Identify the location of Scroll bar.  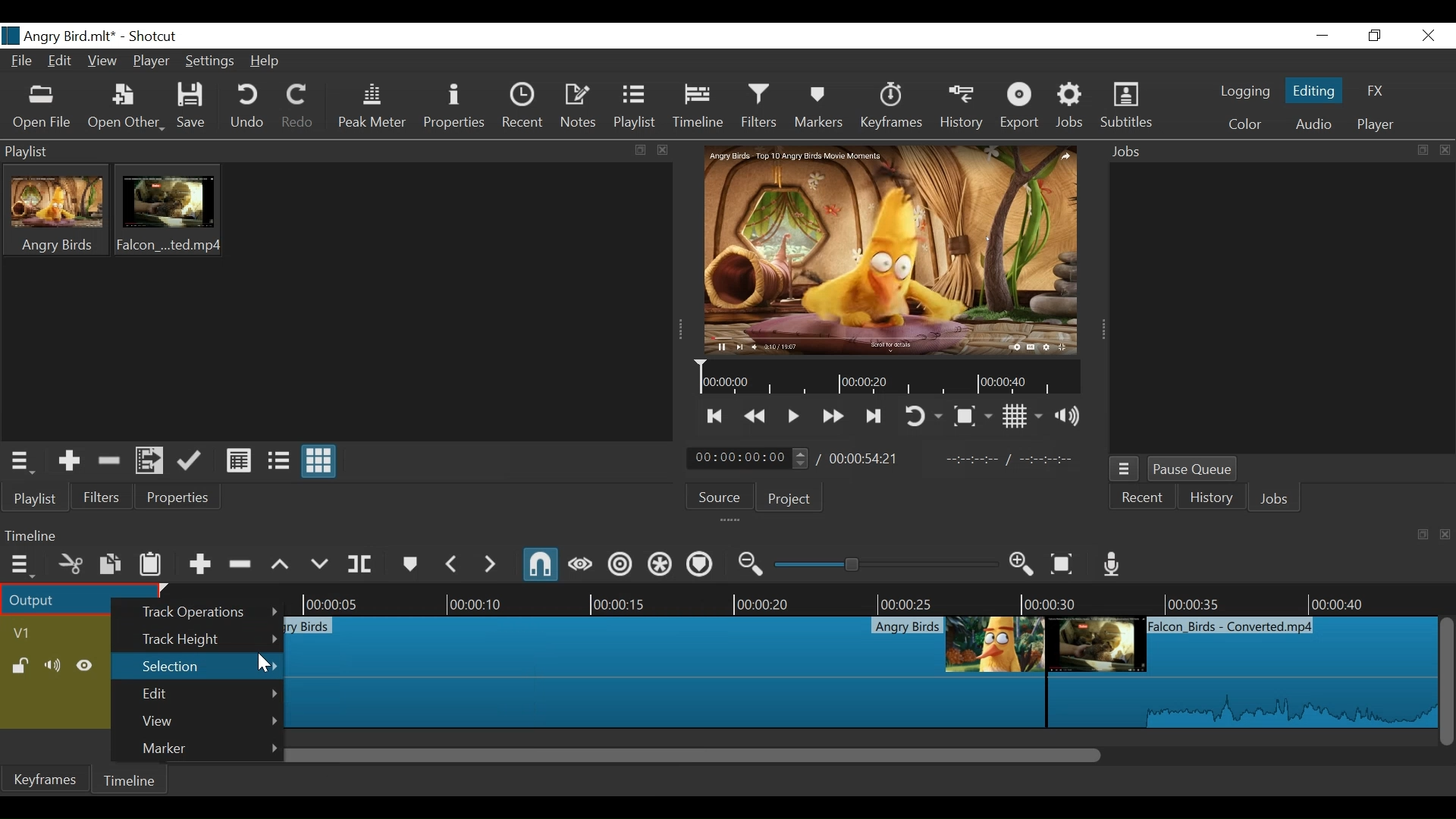
(872, 755).